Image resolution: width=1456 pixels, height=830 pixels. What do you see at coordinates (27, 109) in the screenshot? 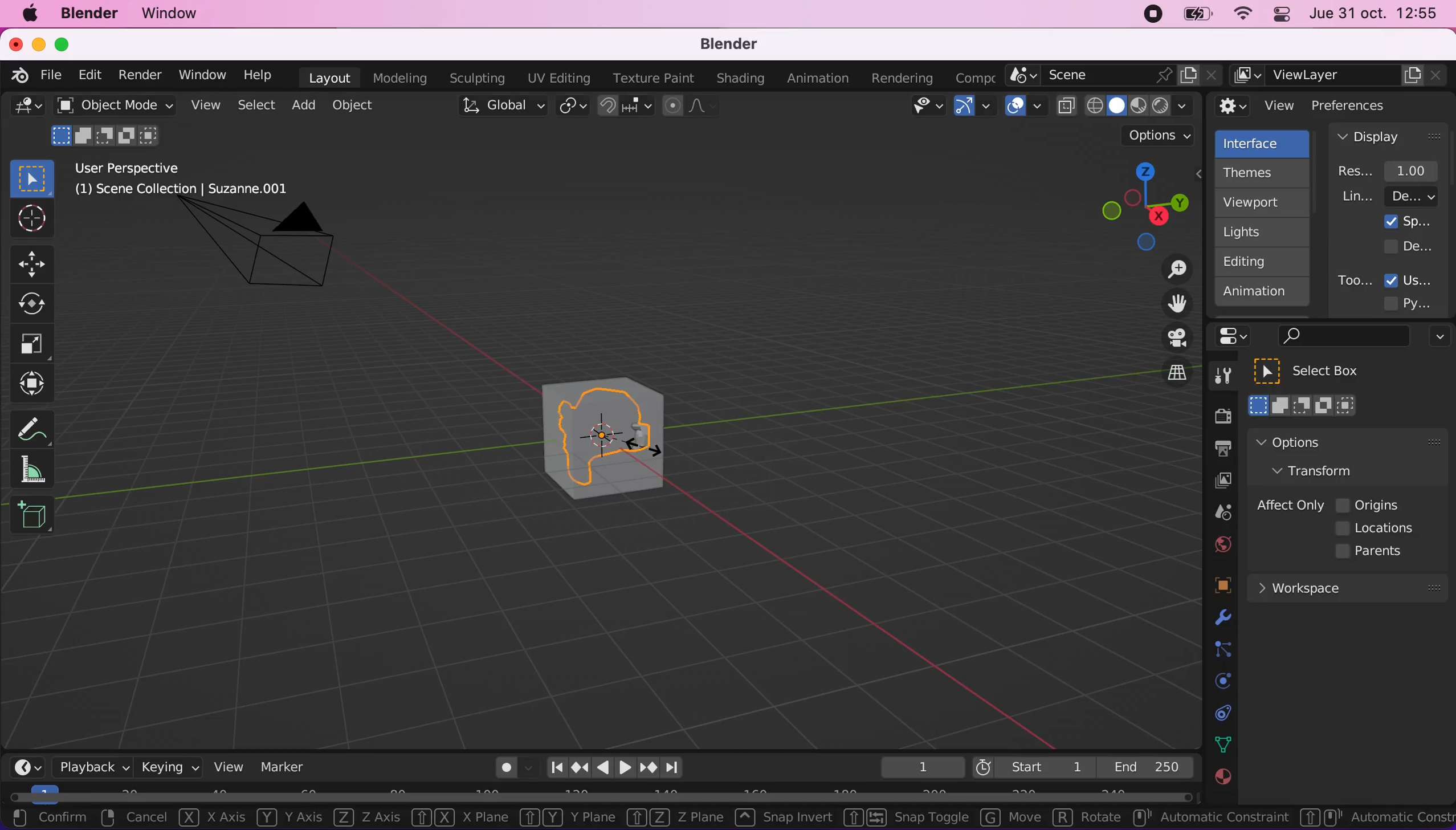
I see `general` at bounding box center [27, 109].